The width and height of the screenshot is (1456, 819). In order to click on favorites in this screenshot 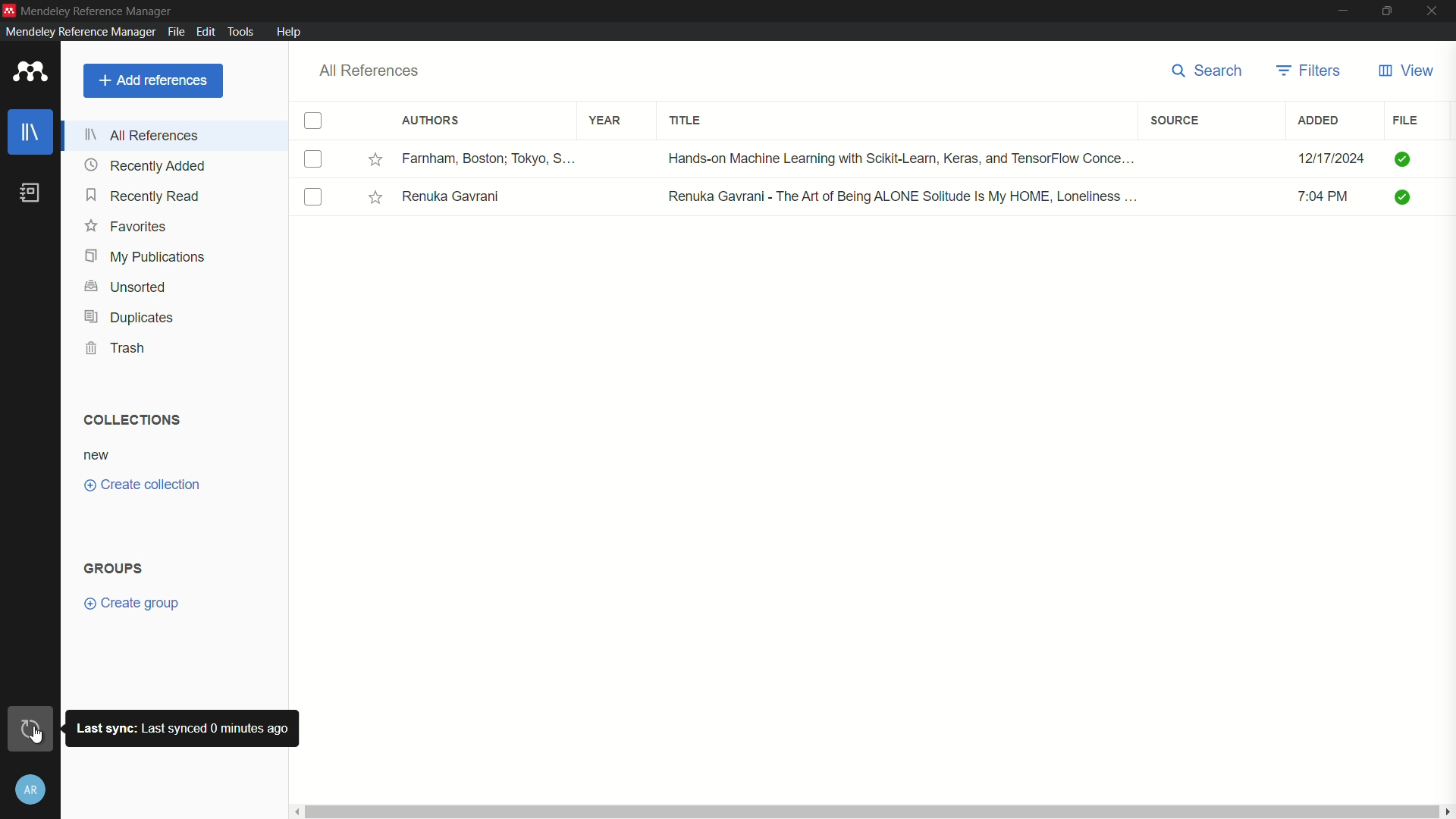, I will do `click(126, 227)`.